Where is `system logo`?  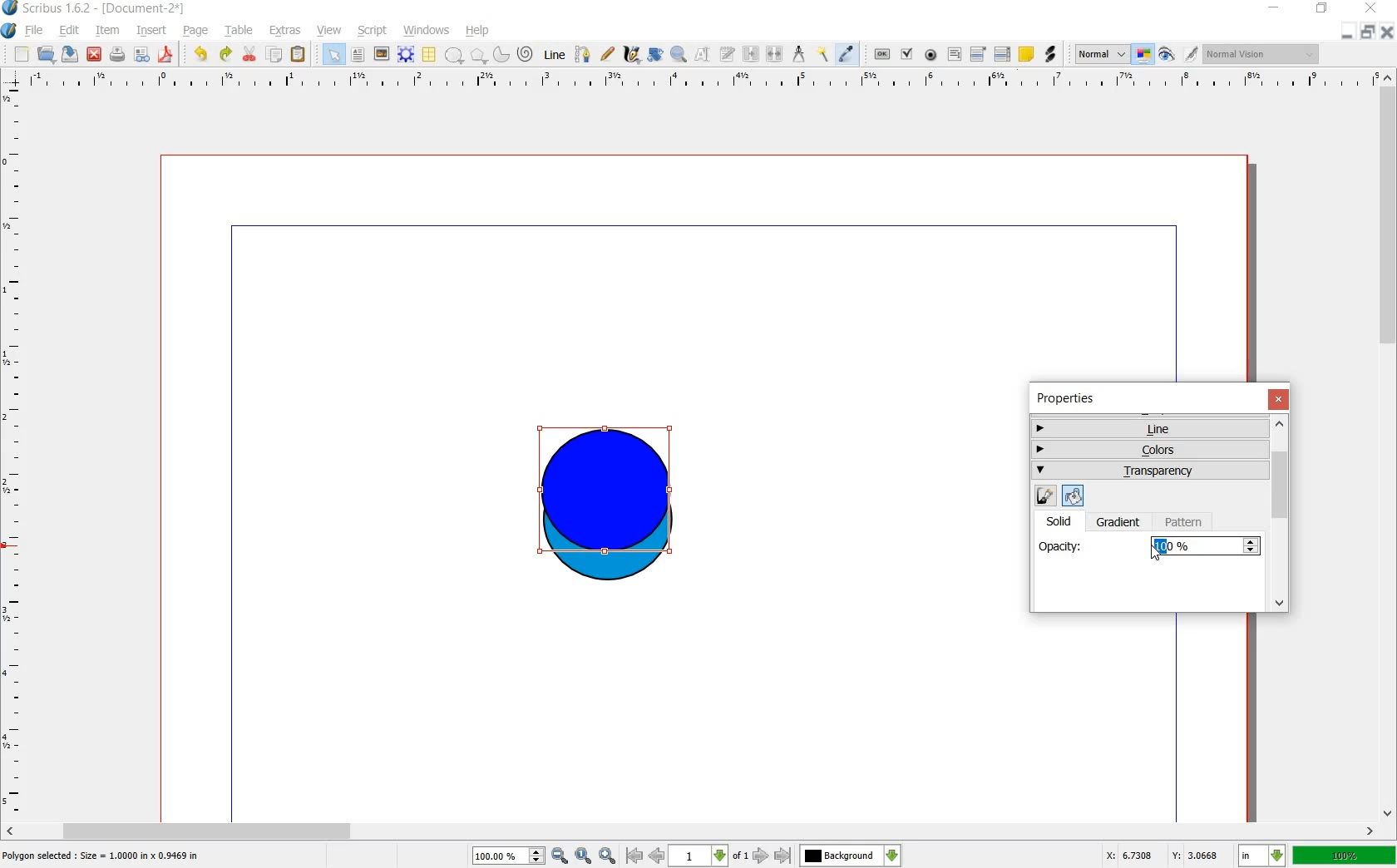
system logo is located at coordinates (8, 31).